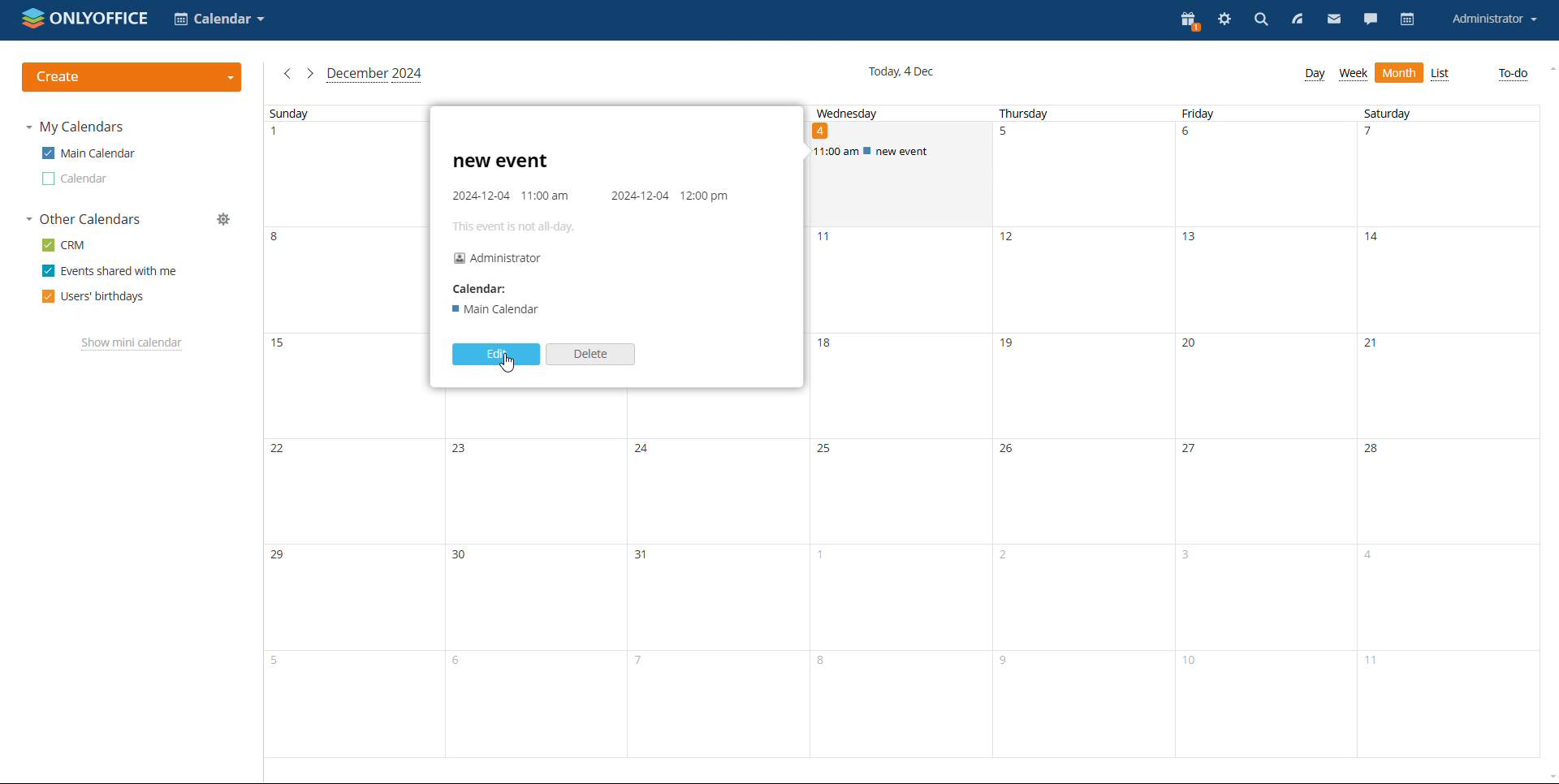 The image size is (1559, 784). I want to click on thursday, so click(1080, 430).